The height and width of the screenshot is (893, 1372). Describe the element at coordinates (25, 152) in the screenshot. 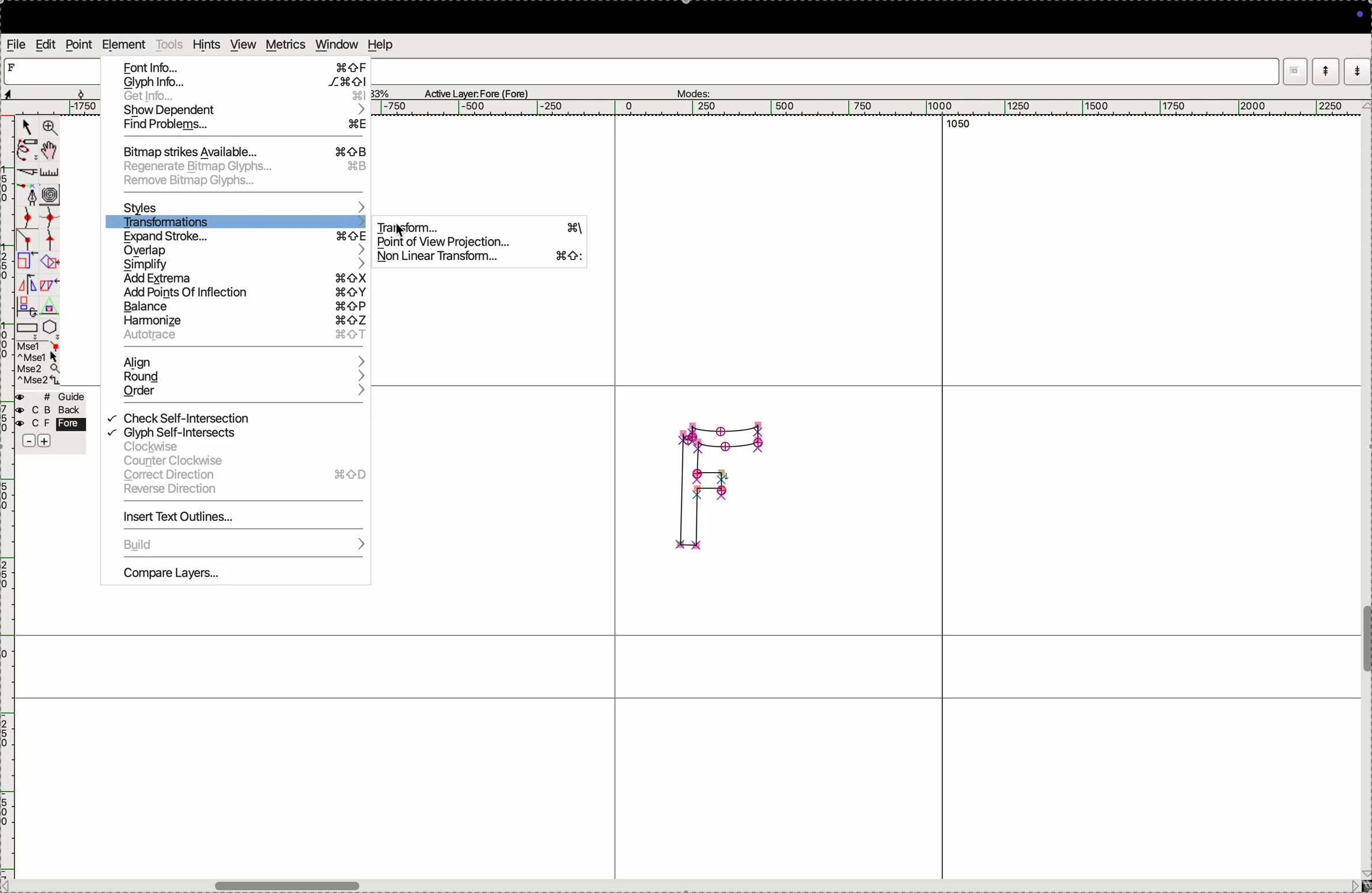

I see `pen` at that location.